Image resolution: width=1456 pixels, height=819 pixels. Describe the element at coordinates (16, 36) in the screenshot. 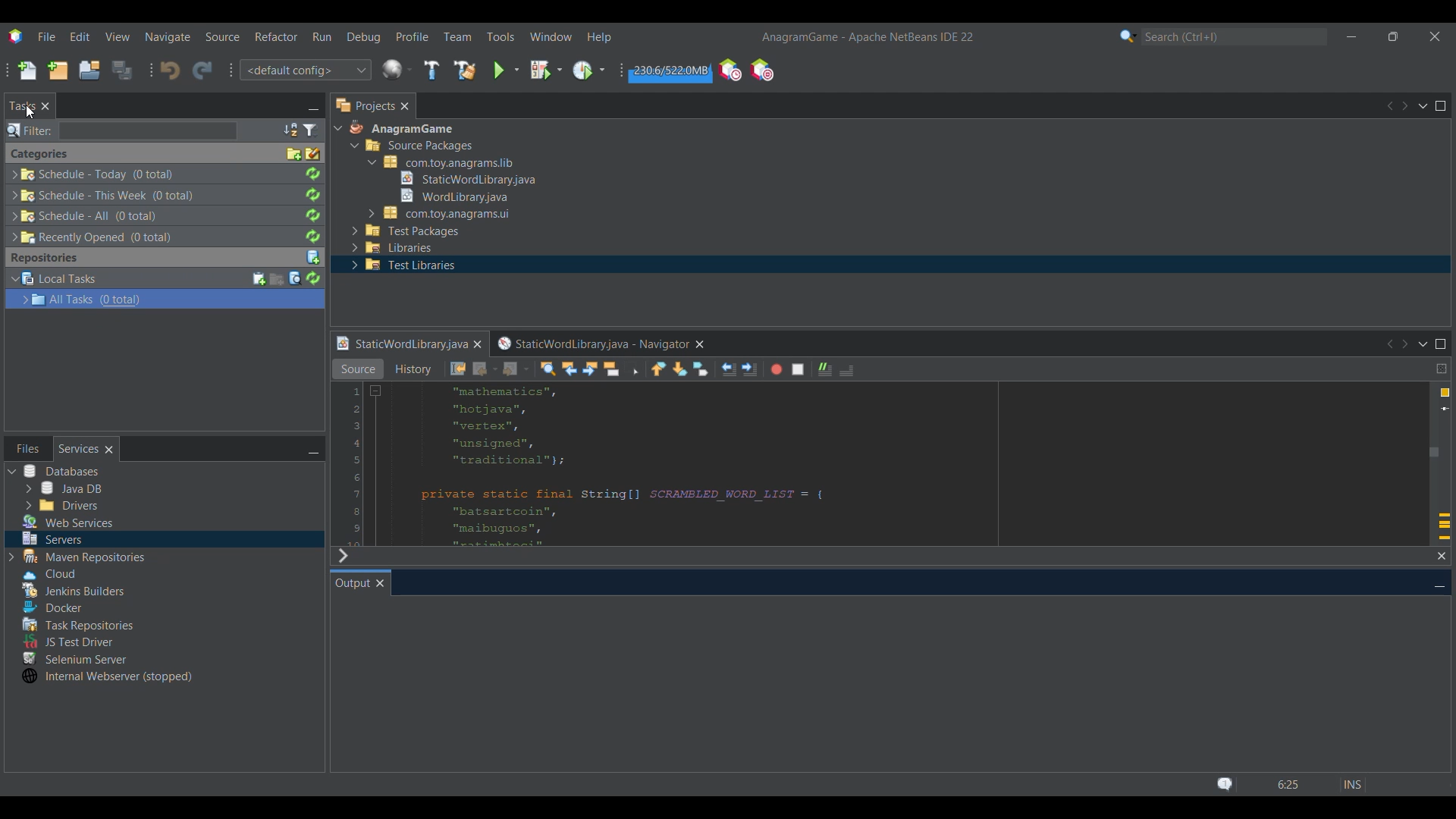

I see `Software logo` at that location.